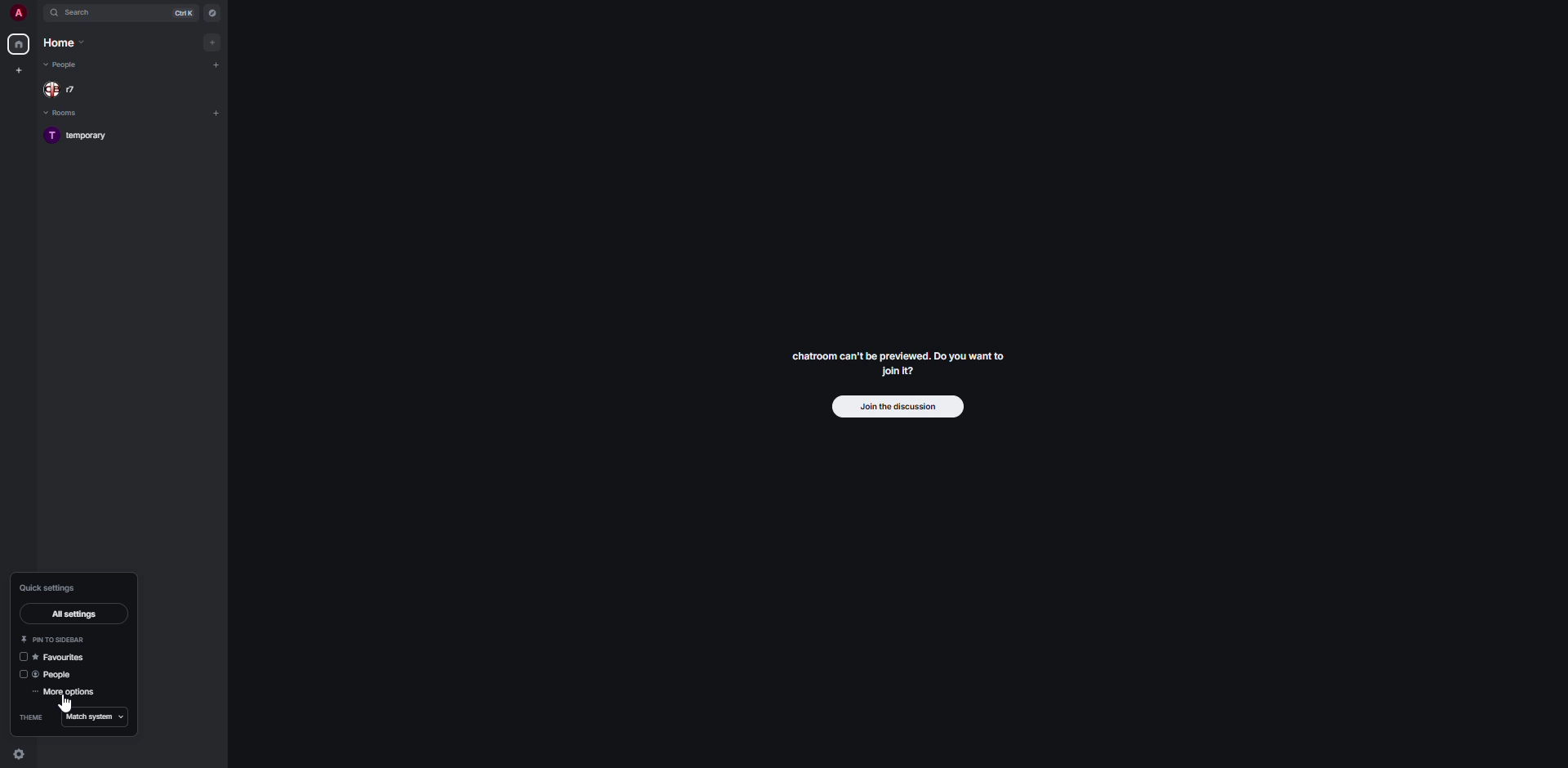 Image resolution: width=1568 pixels, height=768 pixels. What do you see at coordinates (898, 406) in the screenshot?
I see `join discussion` at bounding box center [898, 406].